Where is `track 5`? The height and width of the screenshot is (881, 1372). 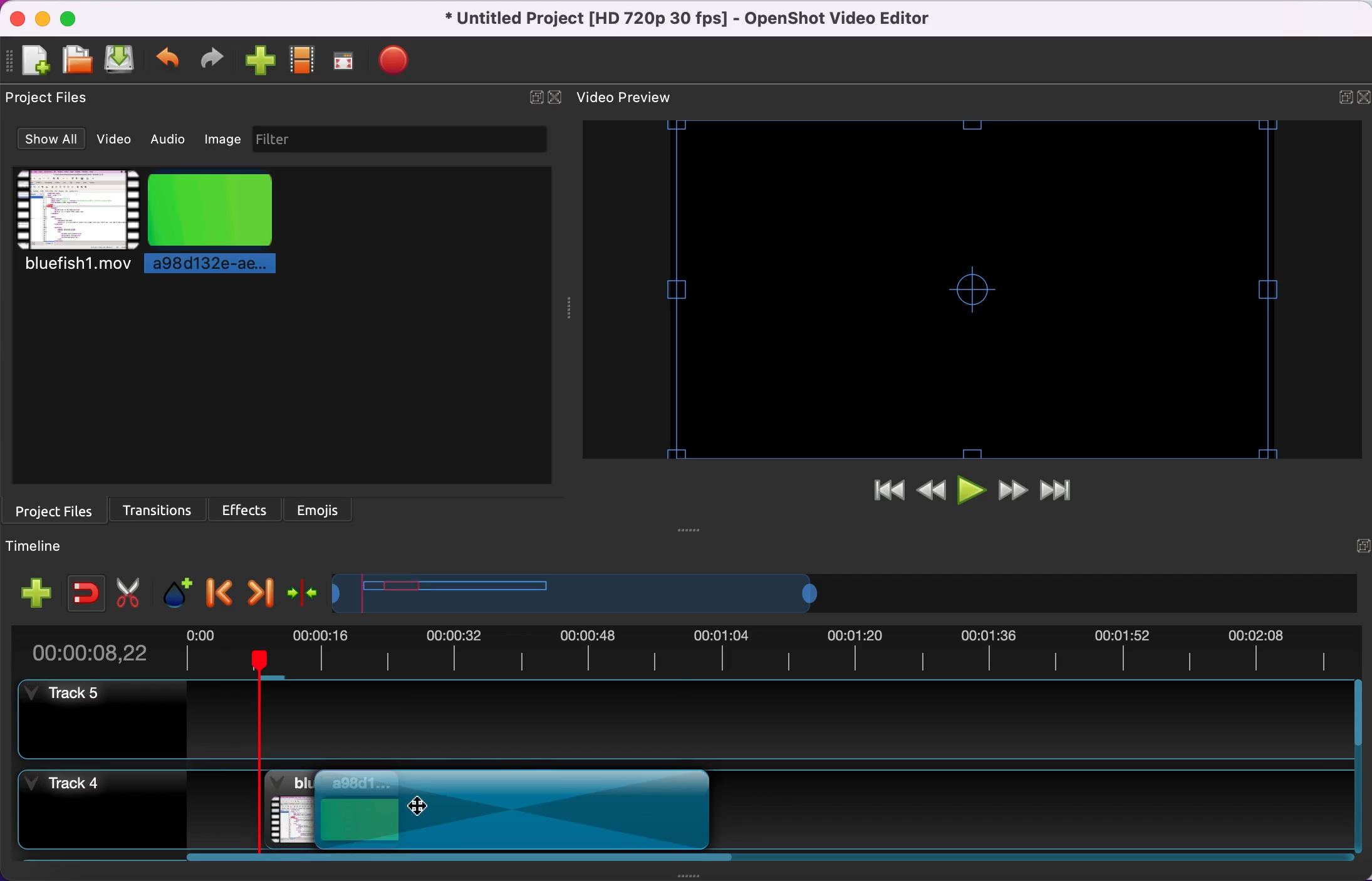 track 5 is located at coordinates (693, 719).